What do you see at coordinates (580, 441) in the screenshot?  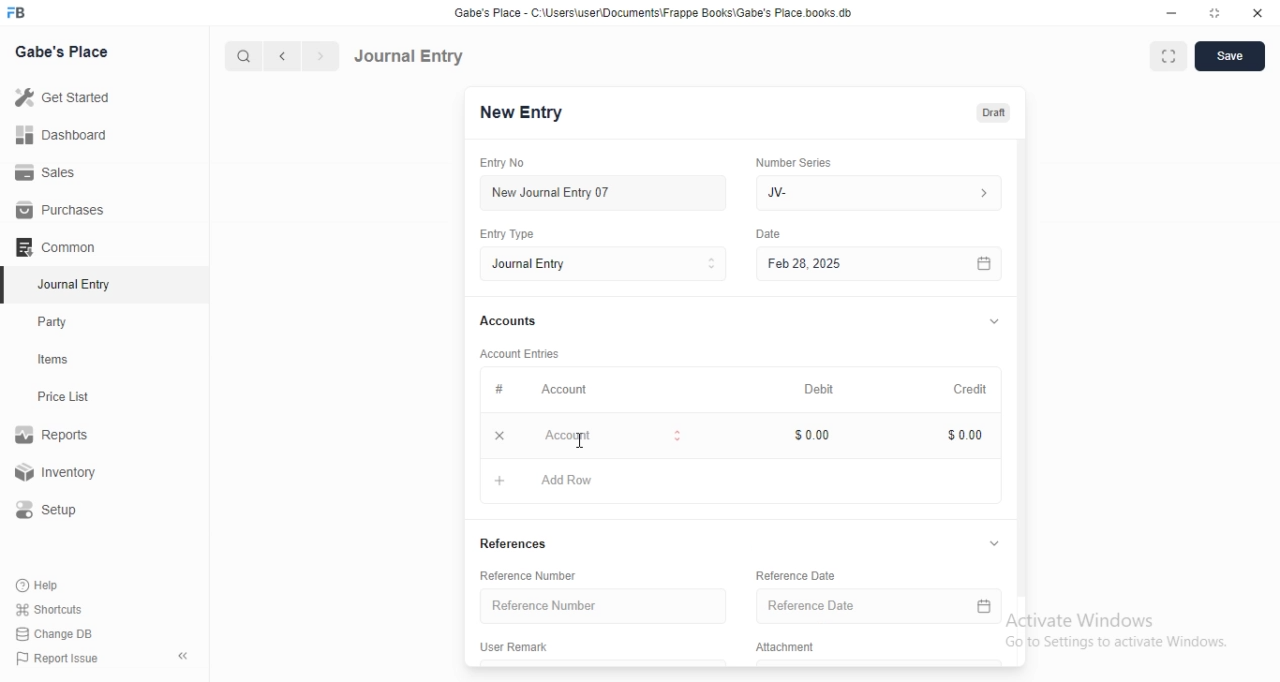 I see `cursor` at bounding box center [580, 441].